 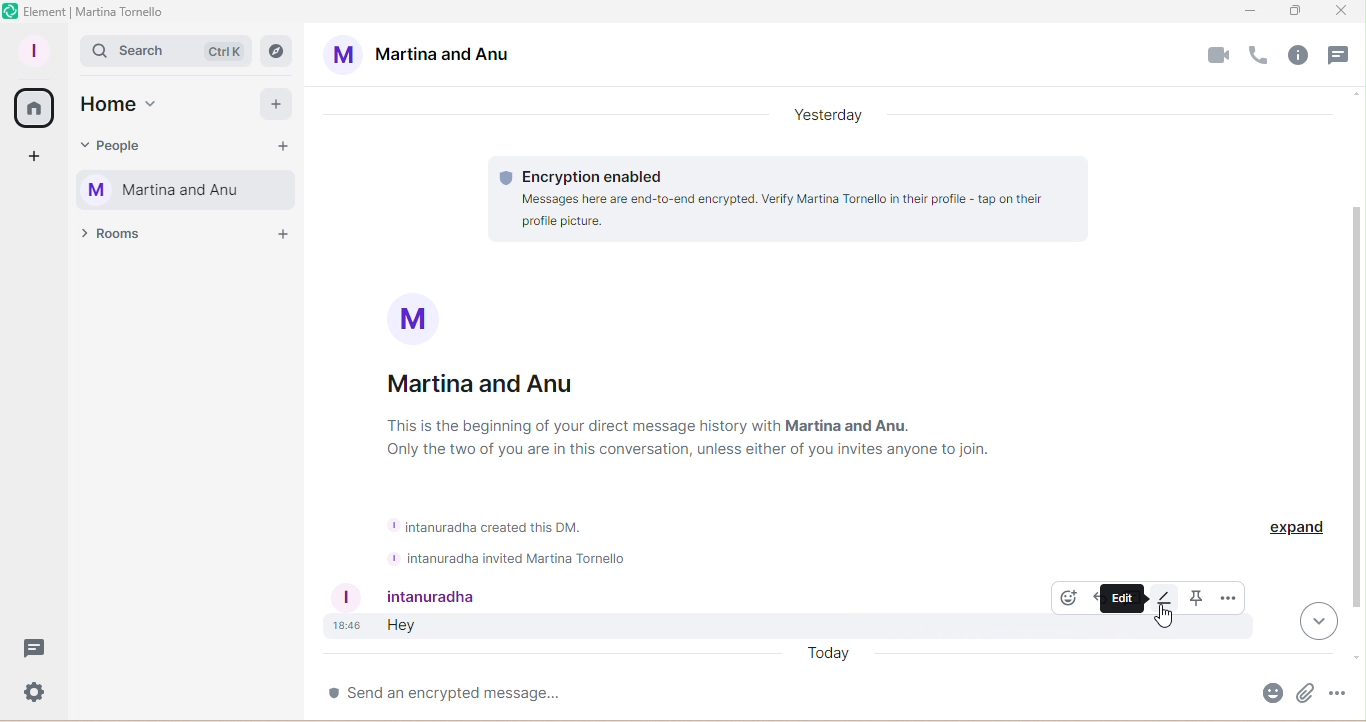 What do you see at coordinates (771, 691) in the screenshot?
I see `Write message` at bounding box center [771, 691].